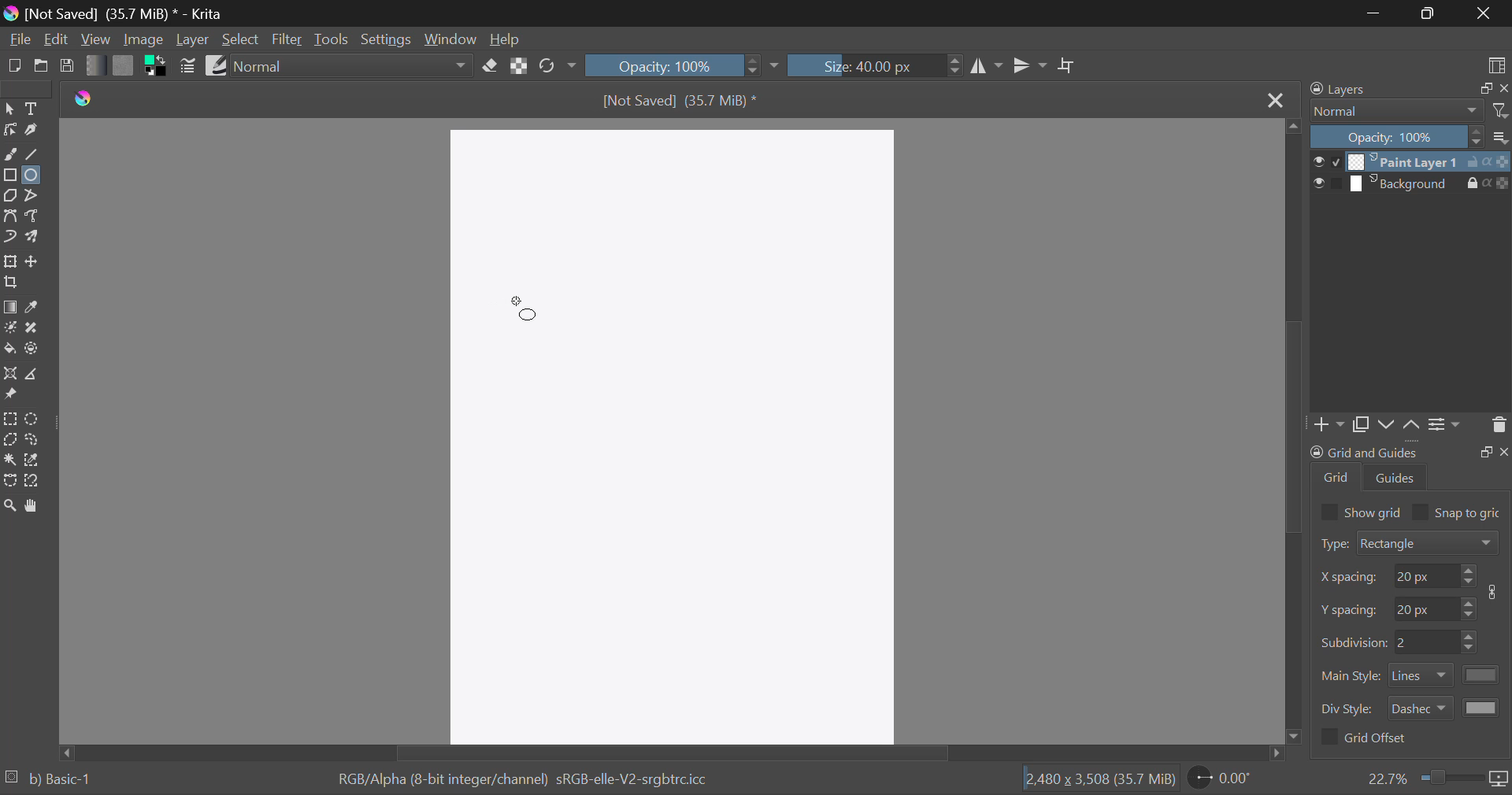  What do you see at coordinates (68, 68) in the screenshot?
I see `Save` at bounding box center [68, 68].